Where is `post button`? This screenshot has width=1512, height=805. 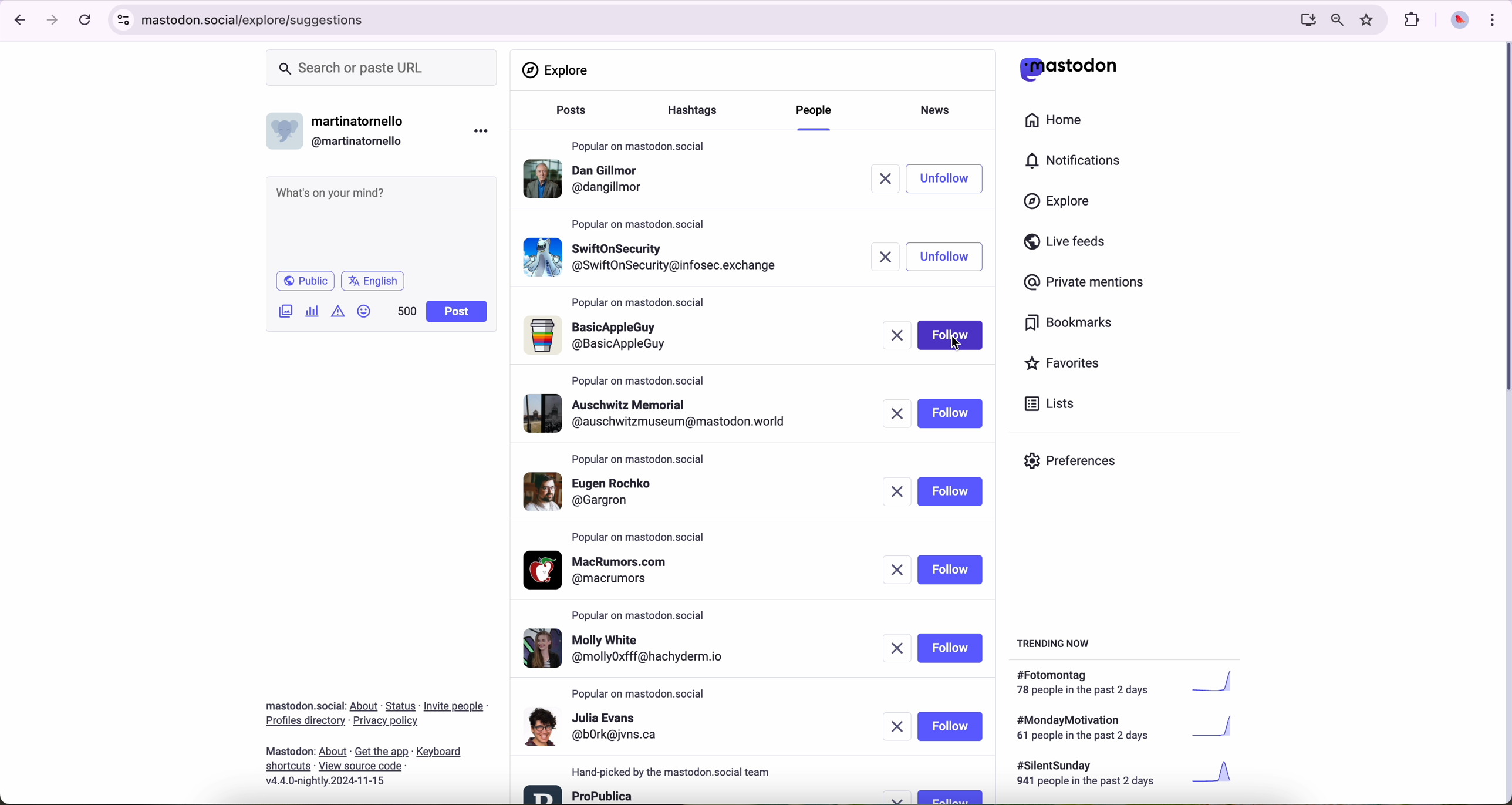
post button is located at coordinates (457, 312).